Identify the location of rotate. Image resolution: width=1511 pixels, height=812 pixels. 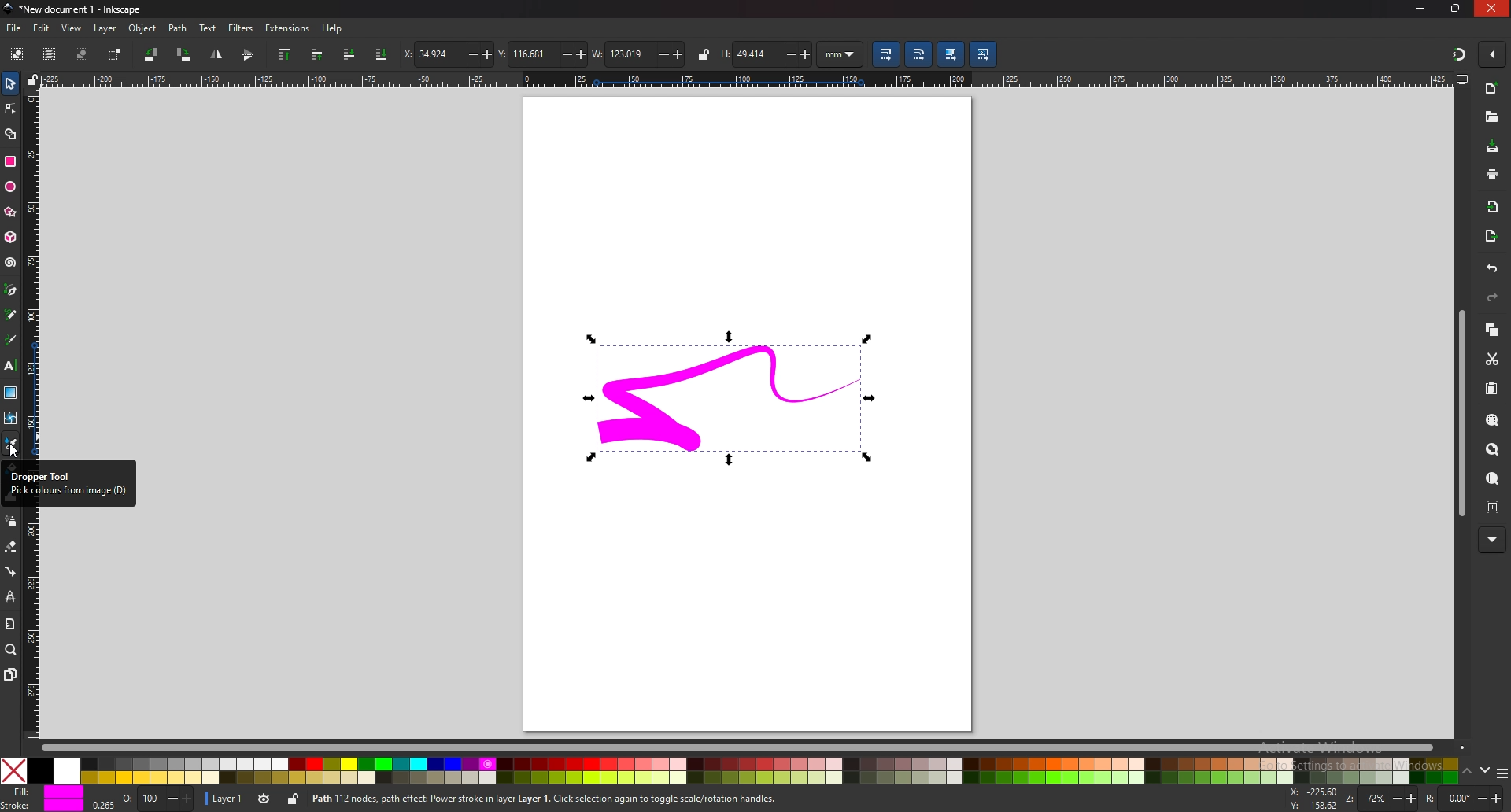
(1461, 797).